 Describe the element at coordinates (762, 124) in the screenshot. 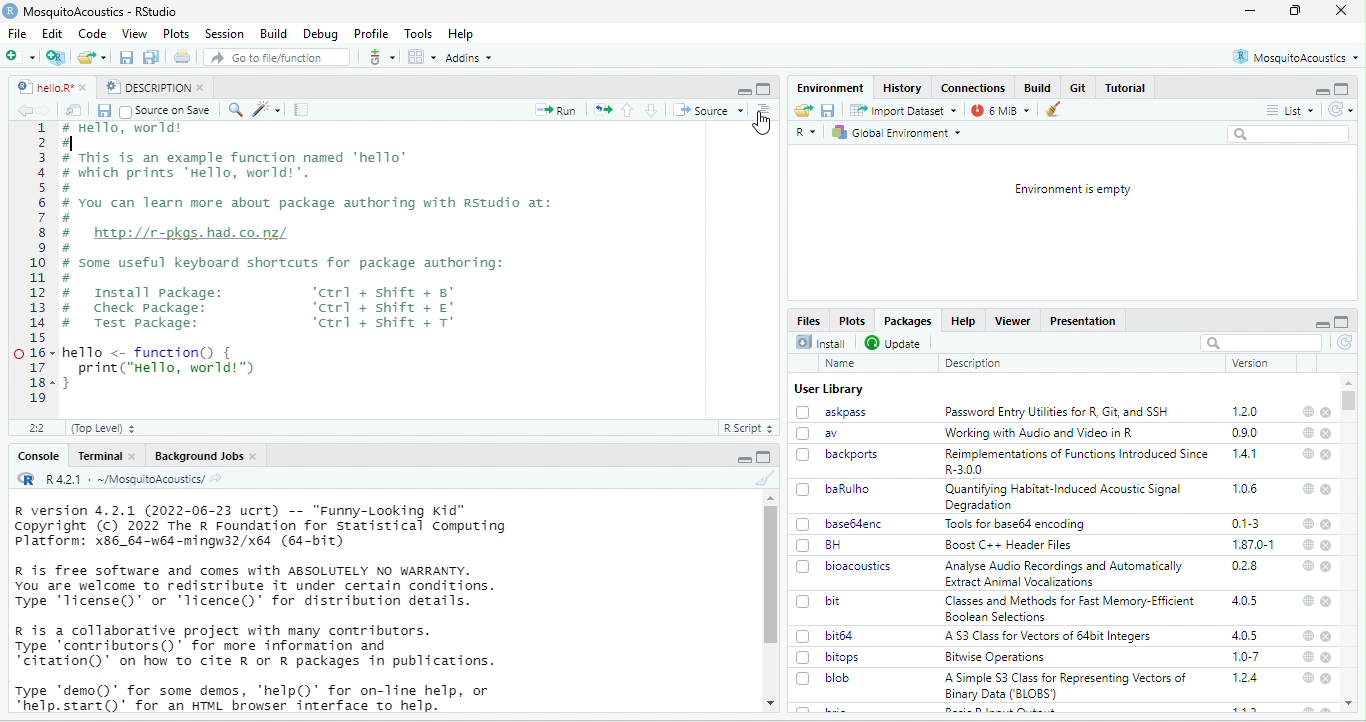

I see `cursor` at that location.